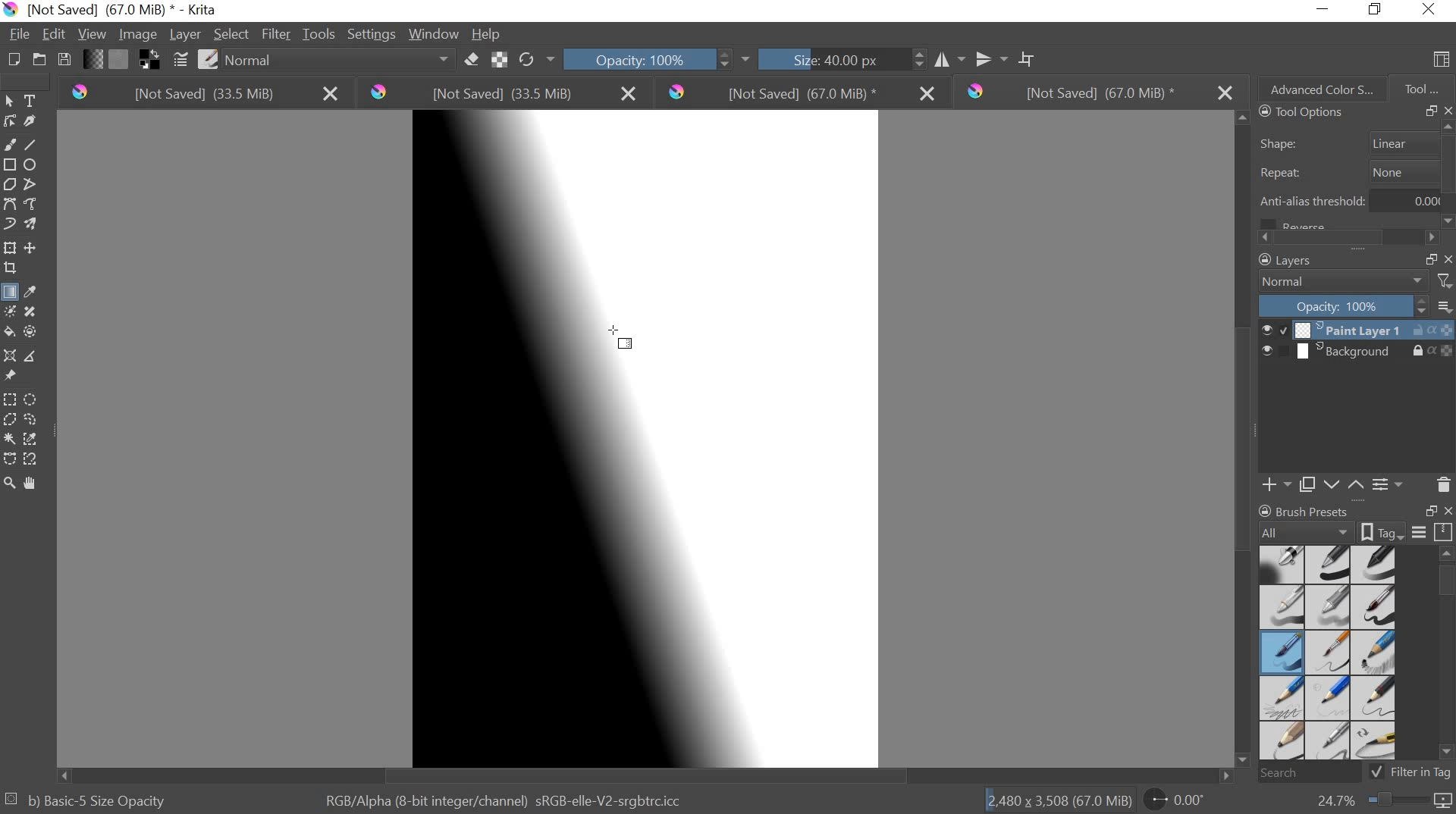 The width and height of the screenshot is (1456, 814). What do you see at coordinates (9, 480) in the screenshot?
I see `zoom` at bounding box center [9, 480].